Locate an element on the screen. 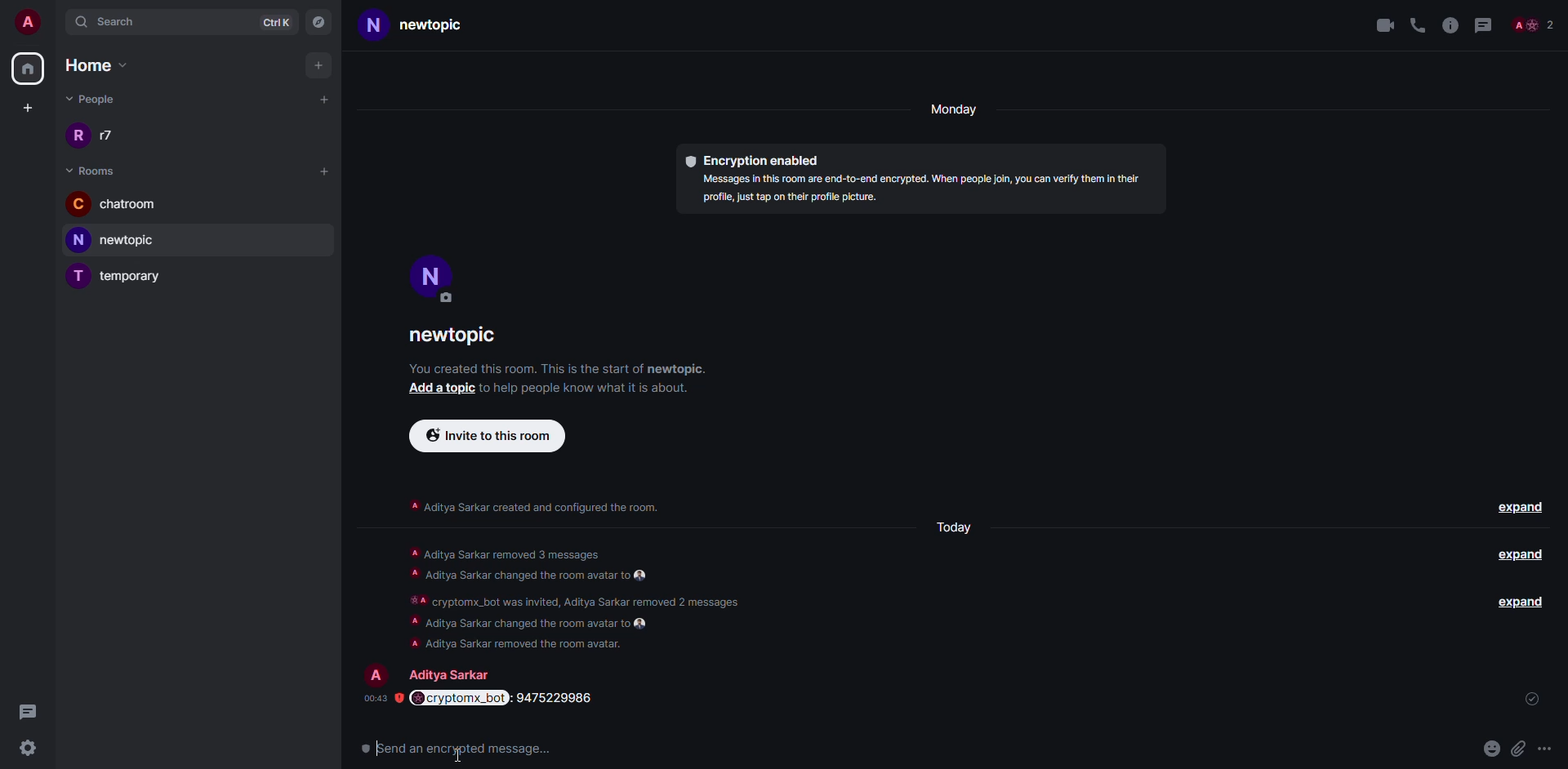  threads is located at coordinates (1482, 23).